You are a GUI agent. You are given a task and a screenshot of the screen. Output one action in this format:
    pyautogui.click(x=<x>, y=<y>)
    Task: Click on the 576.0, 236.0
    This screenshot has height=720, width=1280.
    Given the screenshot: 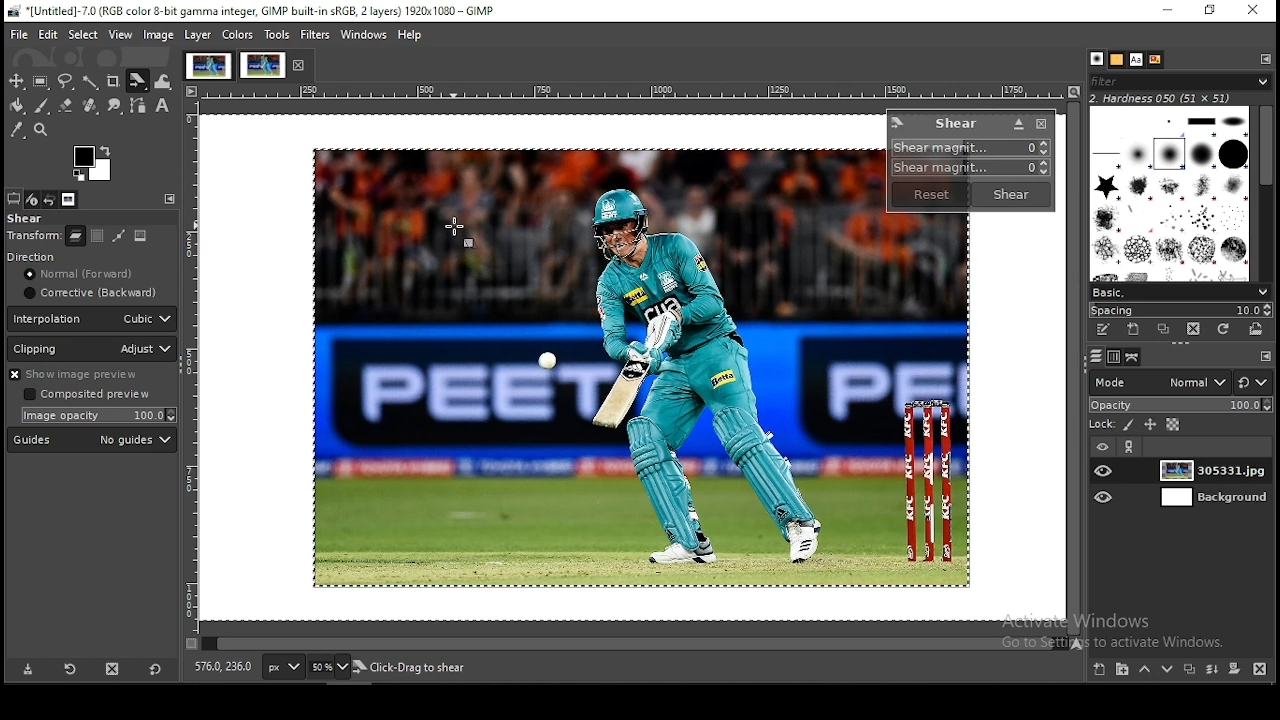 What is the action you would take?
    pyautogui.click(x=223, y=666)
    